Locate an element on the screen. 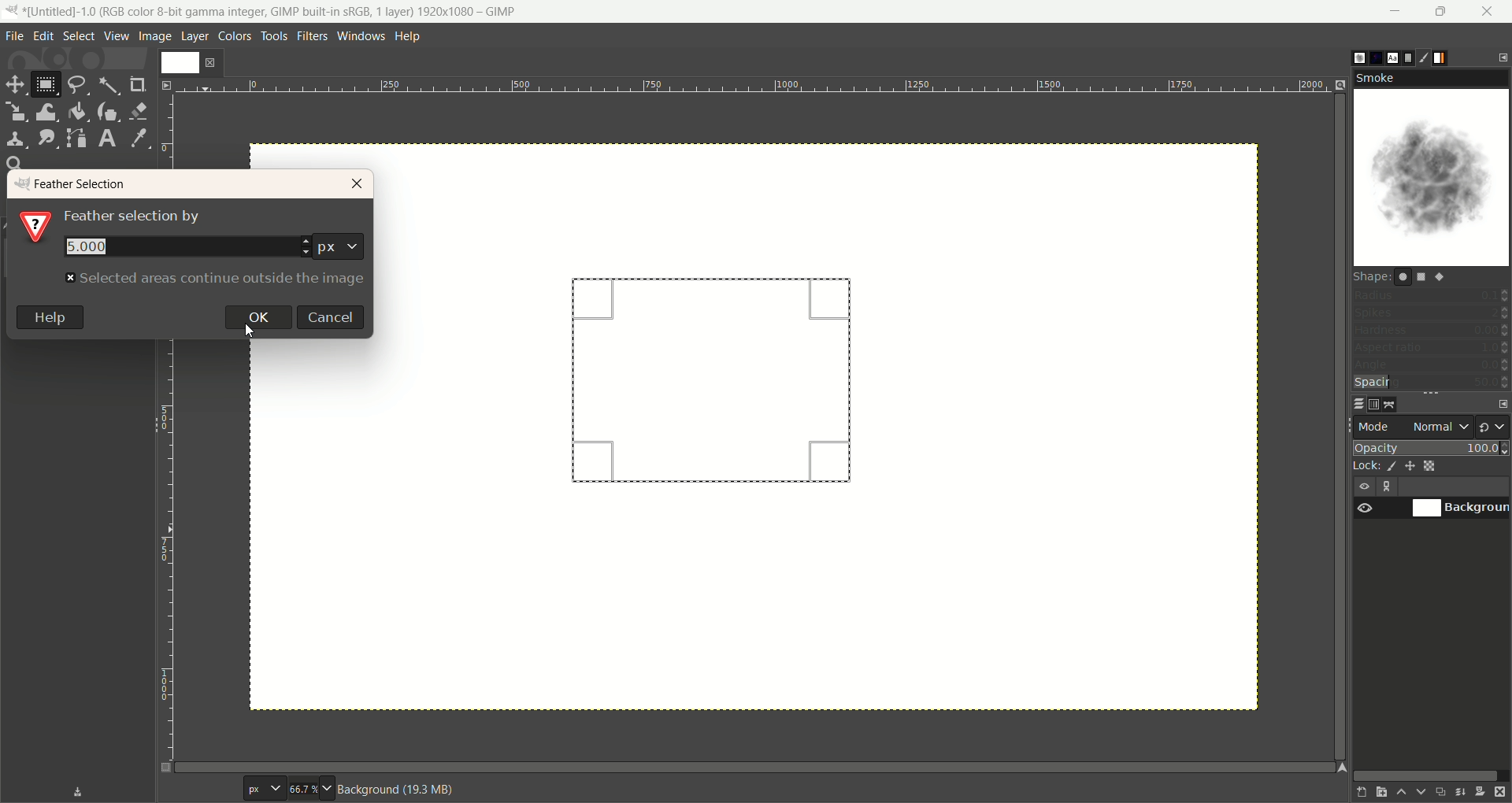 This screenshot has width=1512, height=803. brush is located at coordinates (1357, 58).